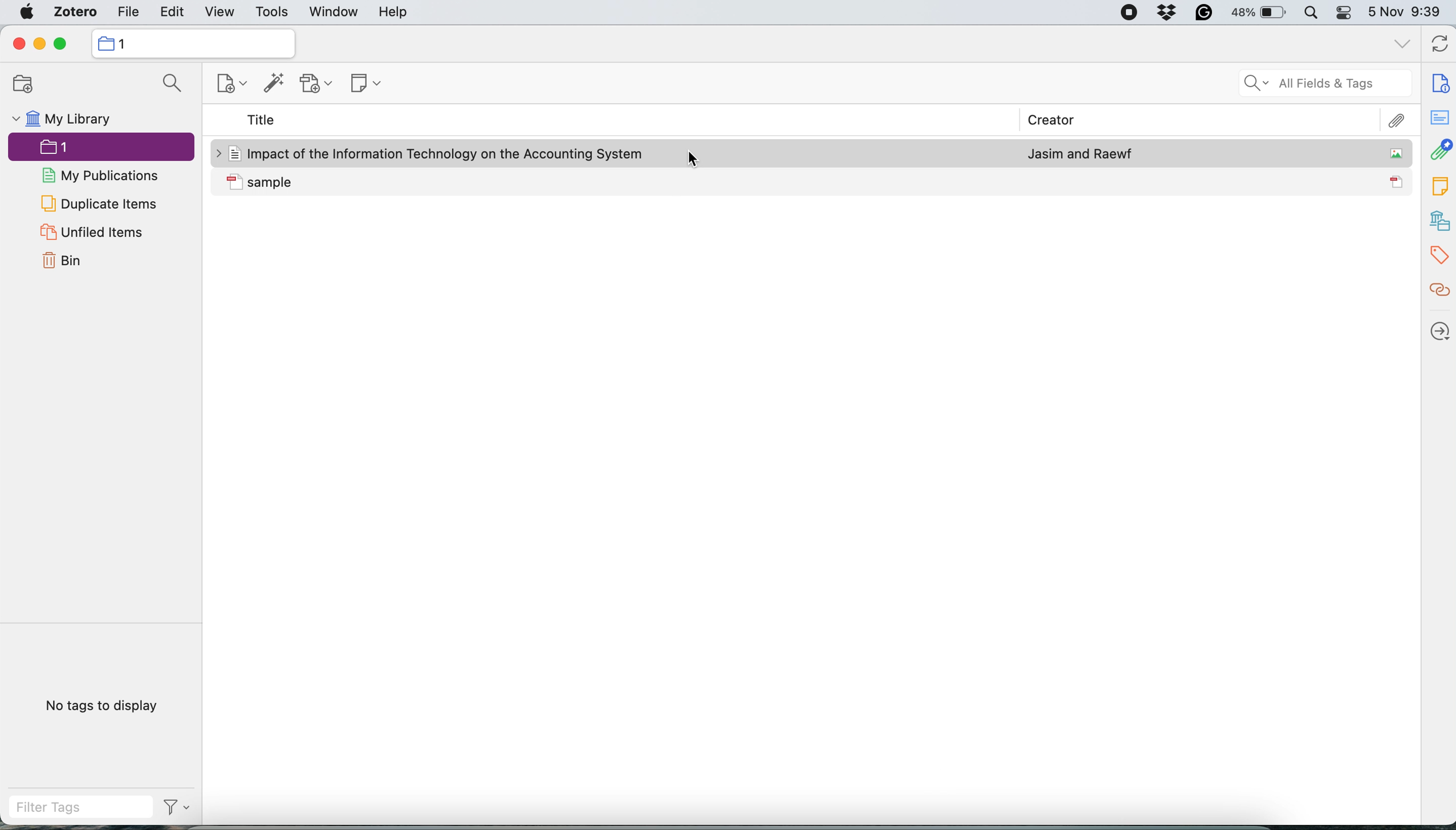 The height and width of the screenshot is (830, 1456). I want to click on cursor, so click(688, 160).